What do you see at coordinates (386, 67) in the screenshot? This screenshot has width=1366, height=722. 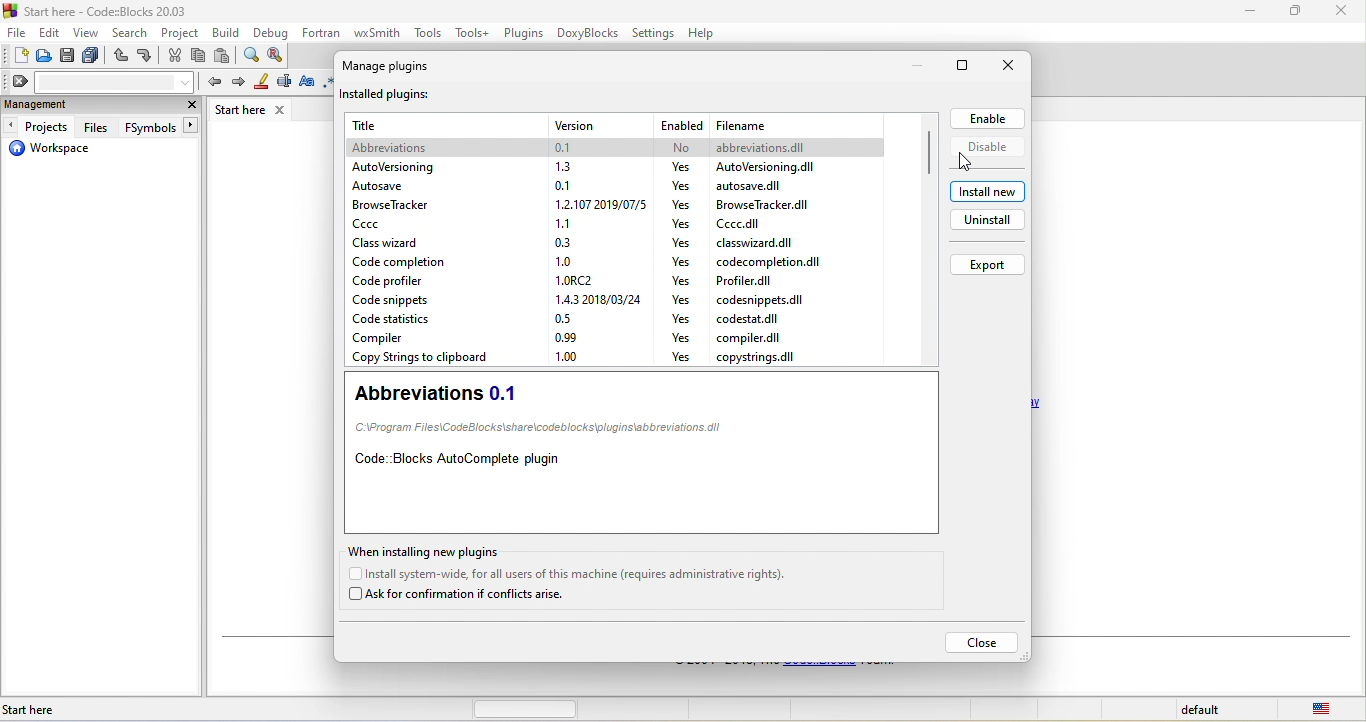 I see `manage plugins` at bounding box center [386, 67].